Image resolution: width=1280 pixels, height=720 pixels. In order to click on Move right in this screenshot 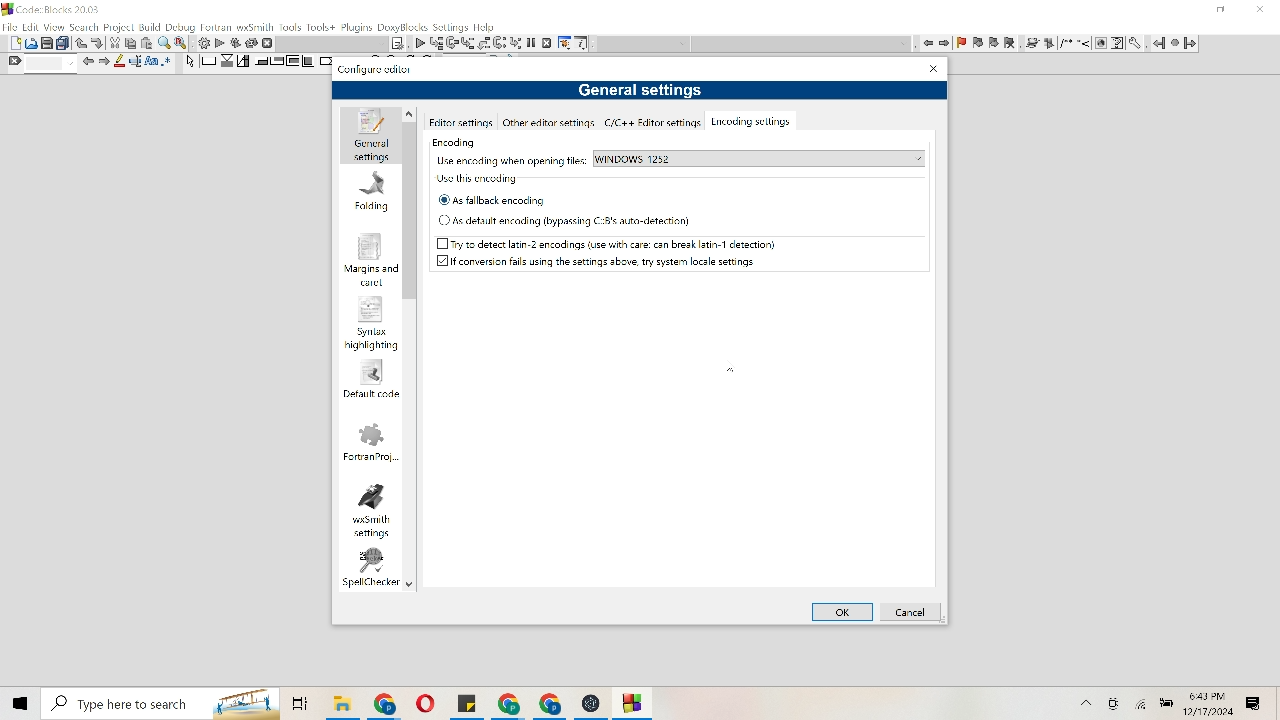, I will do `click(105, 61)`.